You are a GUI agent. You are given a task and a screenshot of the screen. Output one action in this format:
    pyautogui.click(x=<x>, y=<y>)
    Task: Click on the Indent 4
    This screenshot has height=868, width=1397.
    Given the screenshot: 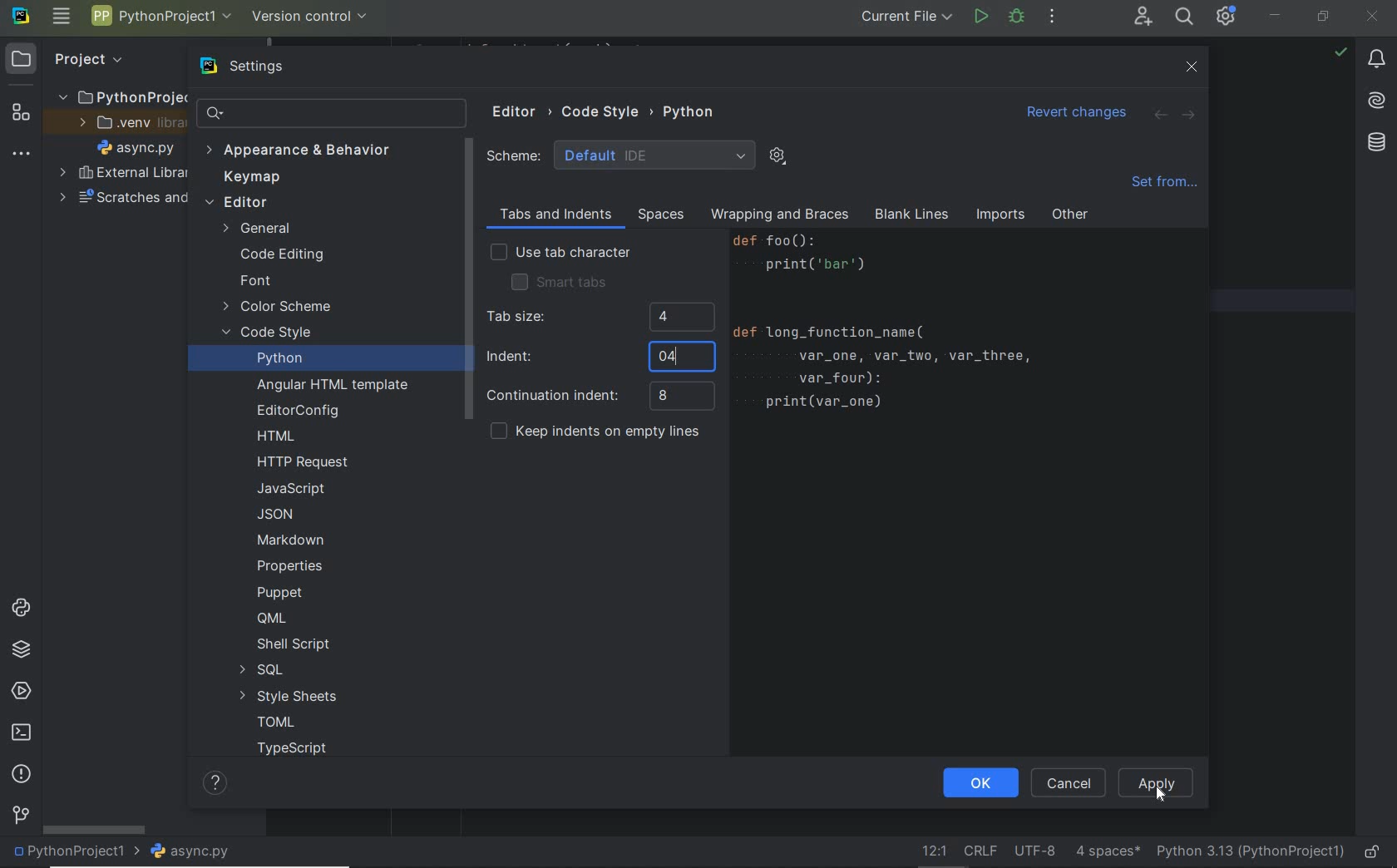 What is the action you would take?
    pyautogui.click(x=600, y=358)
    